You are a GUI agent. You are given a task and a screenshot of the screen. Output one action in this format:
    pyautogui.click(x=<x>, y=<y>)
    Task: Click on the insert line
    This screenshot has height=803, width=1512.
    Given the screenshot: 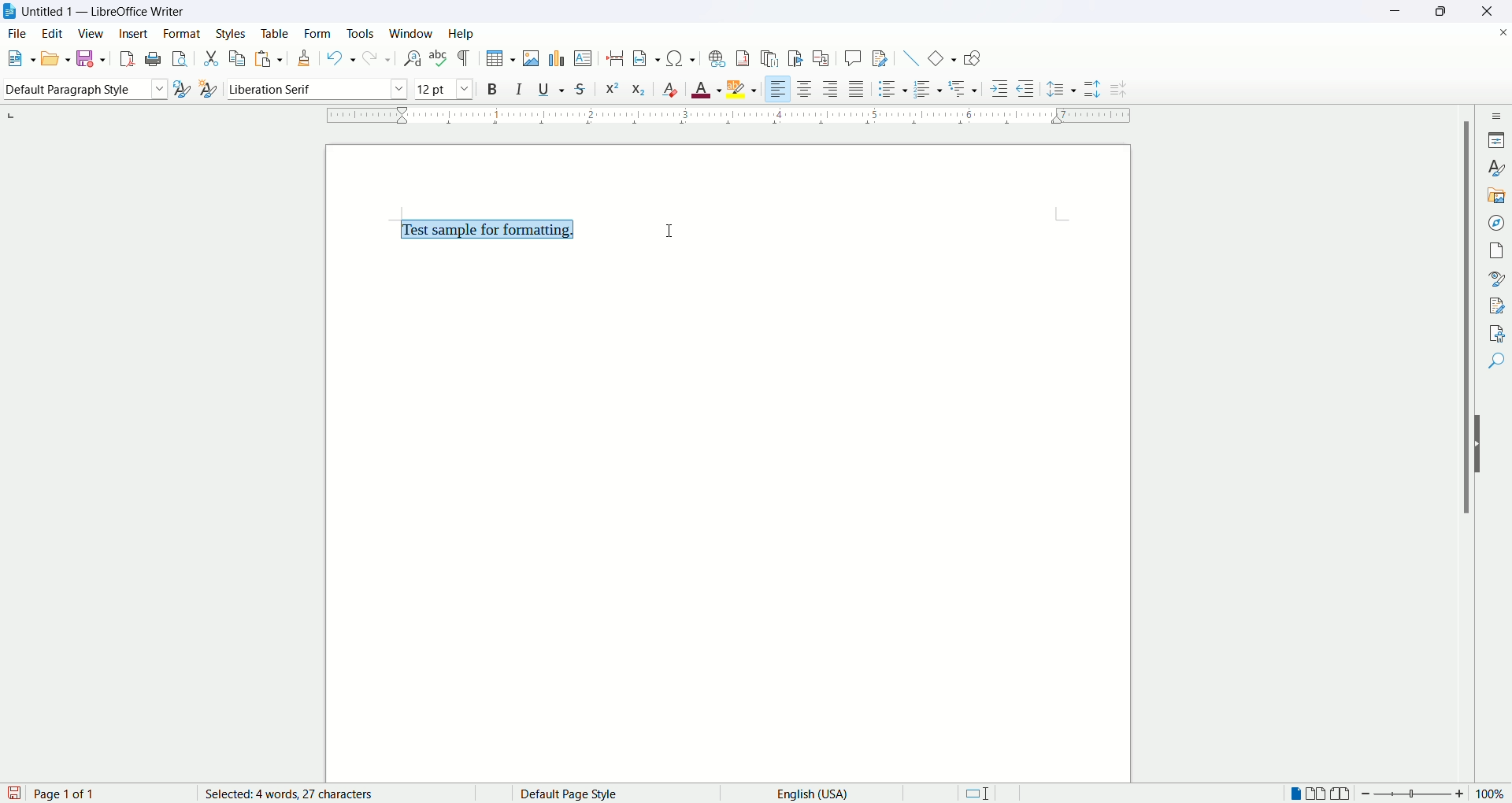 What is the action you would take?
    pyautogui.click(x=905, y=56)
    